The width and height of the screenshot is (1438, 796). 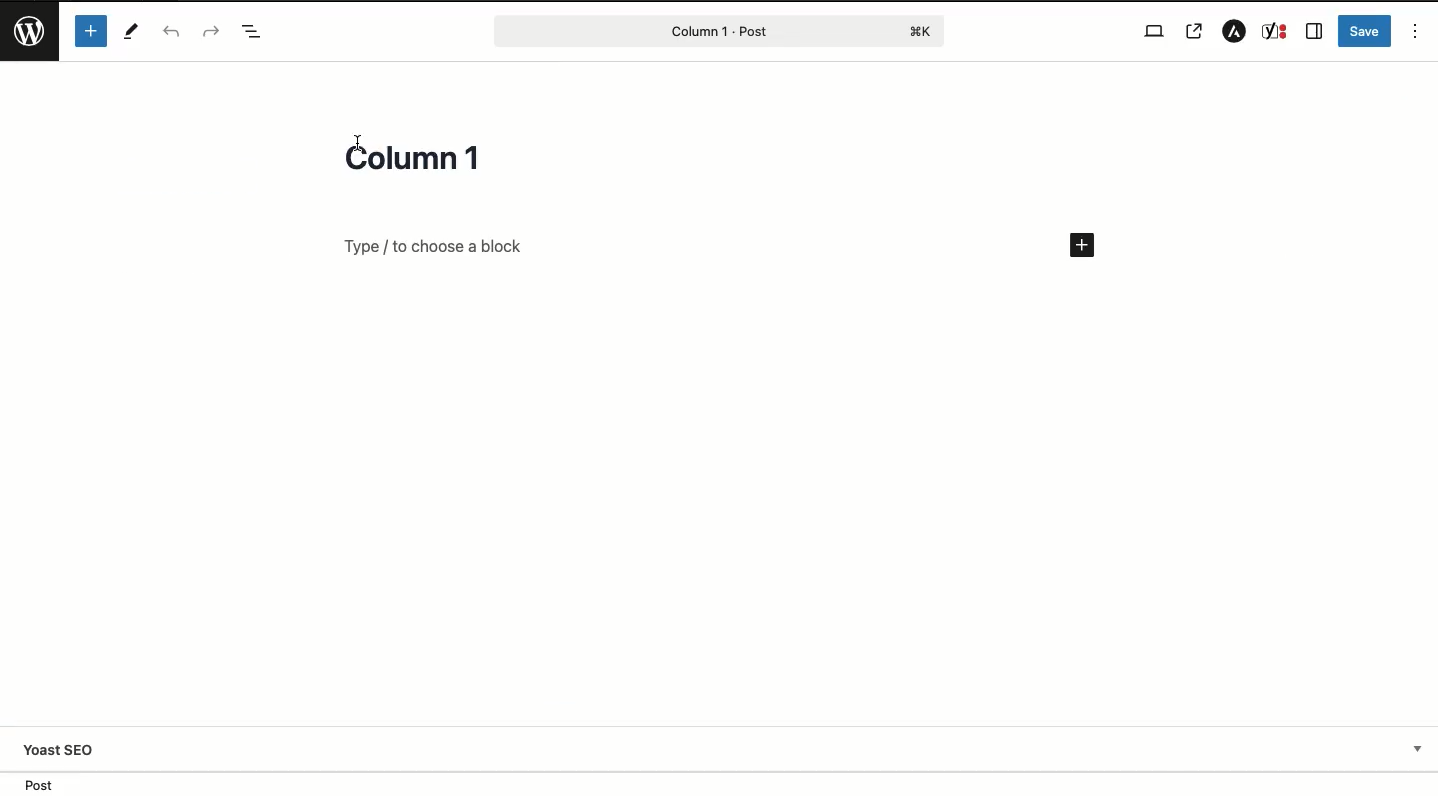 I want to click on Sidebar, so click(x=1315, y=31).